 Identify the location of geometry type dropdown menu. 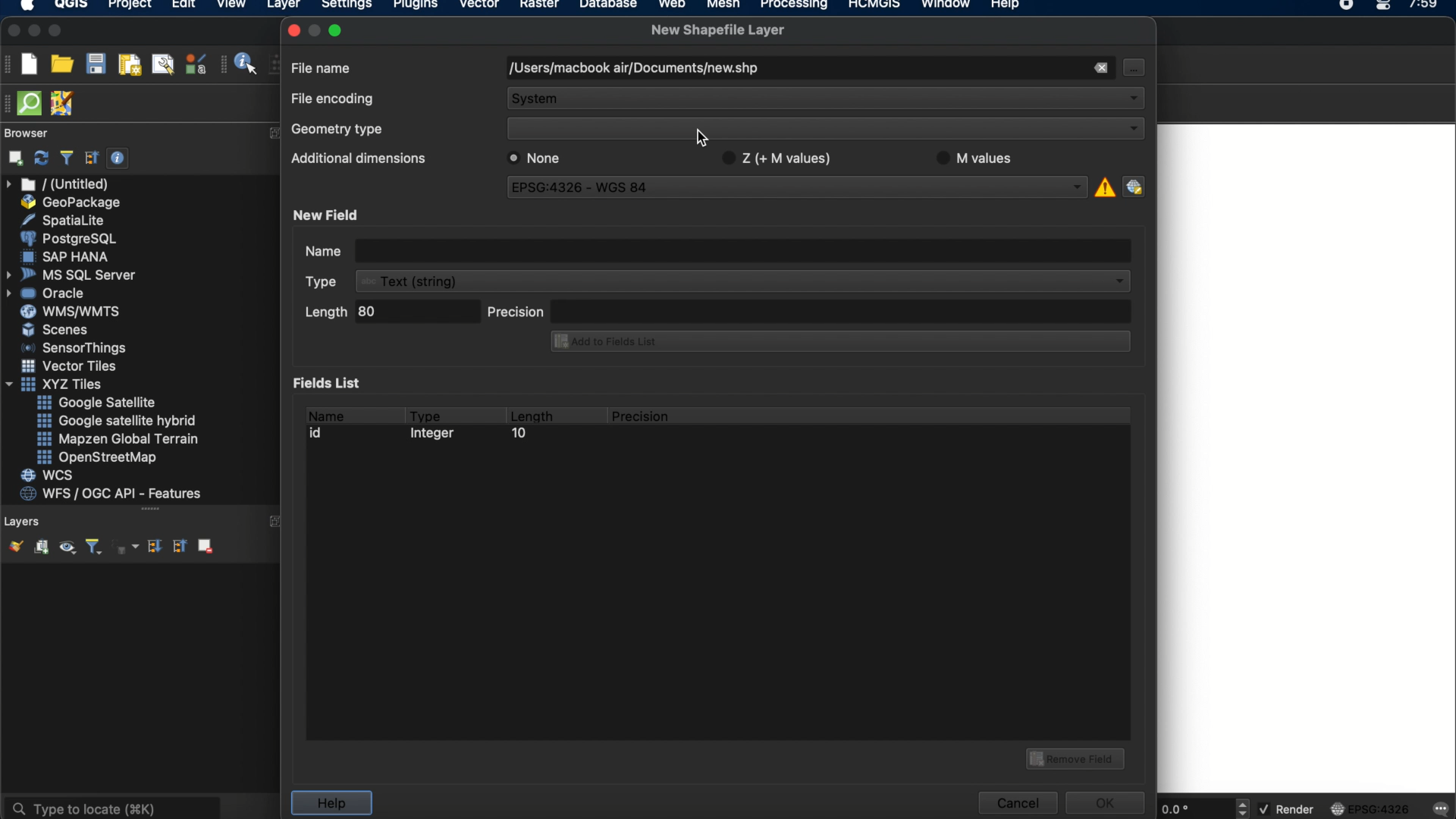
(826, 129).